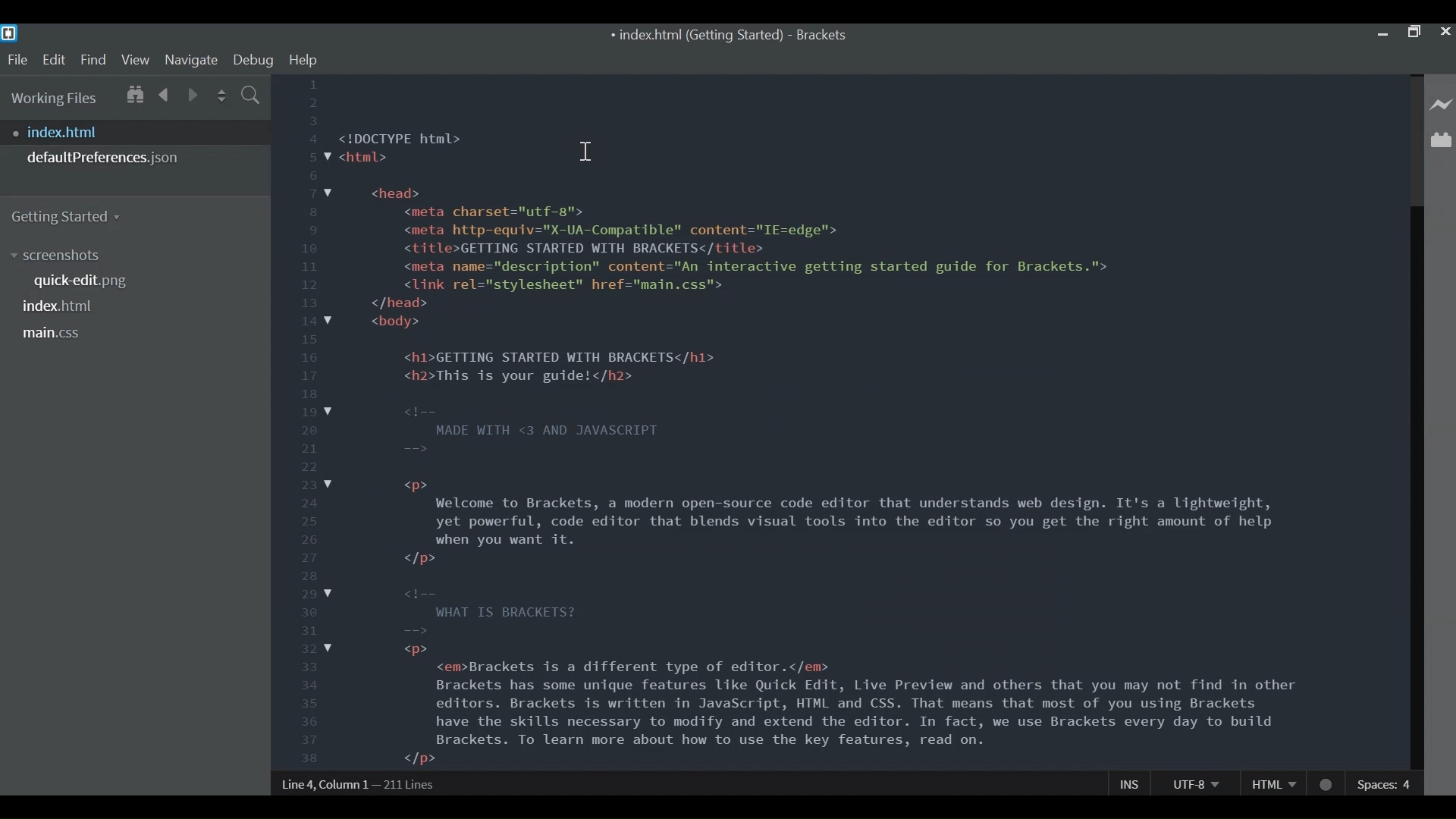  What do you see at coordinates (821, 36) in the screenshot?
I see `Brackets` at bounding box center [821, 36].